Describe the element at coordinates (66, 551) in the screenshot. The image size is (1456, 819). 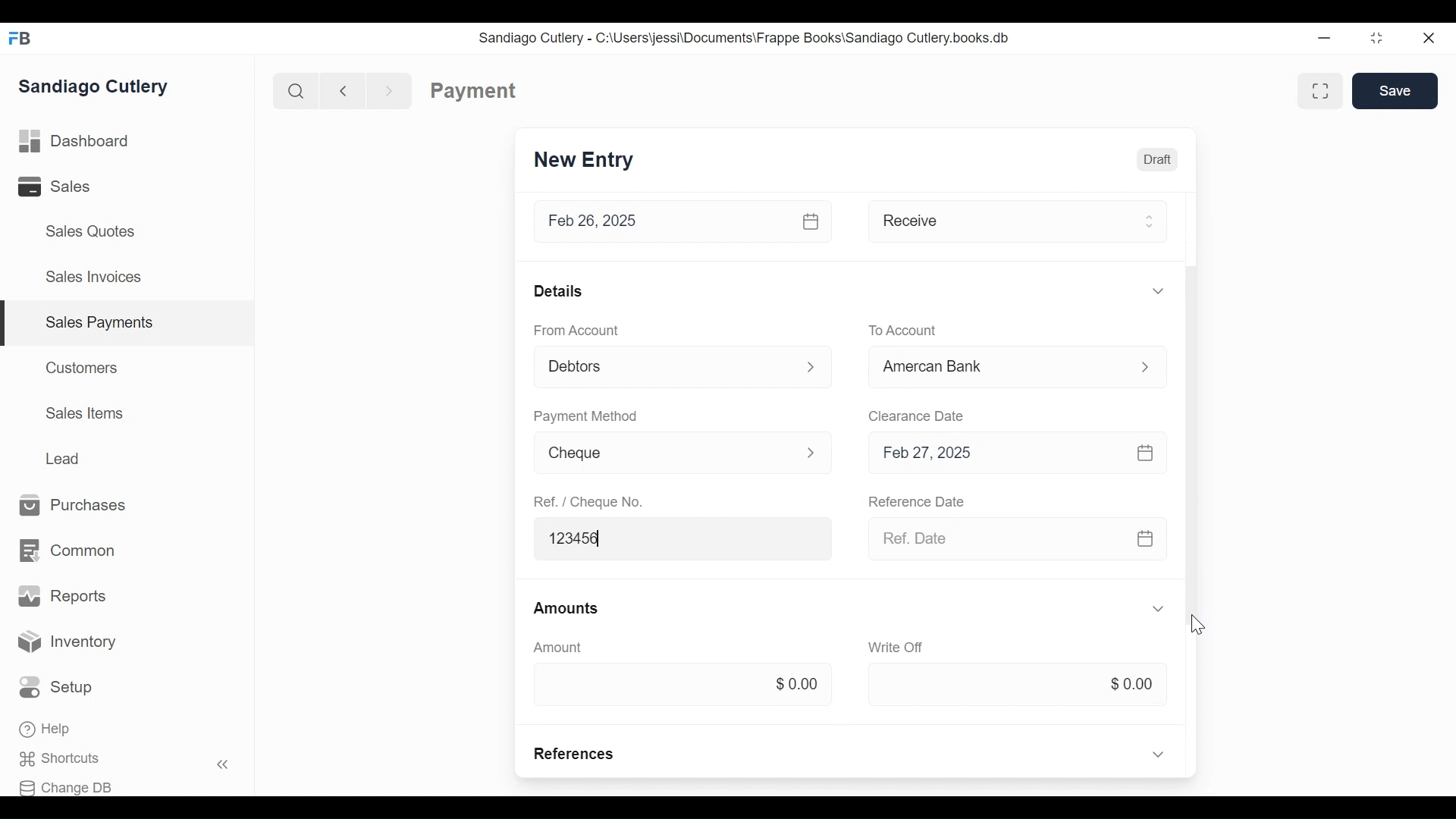
I see `Common` at that location.